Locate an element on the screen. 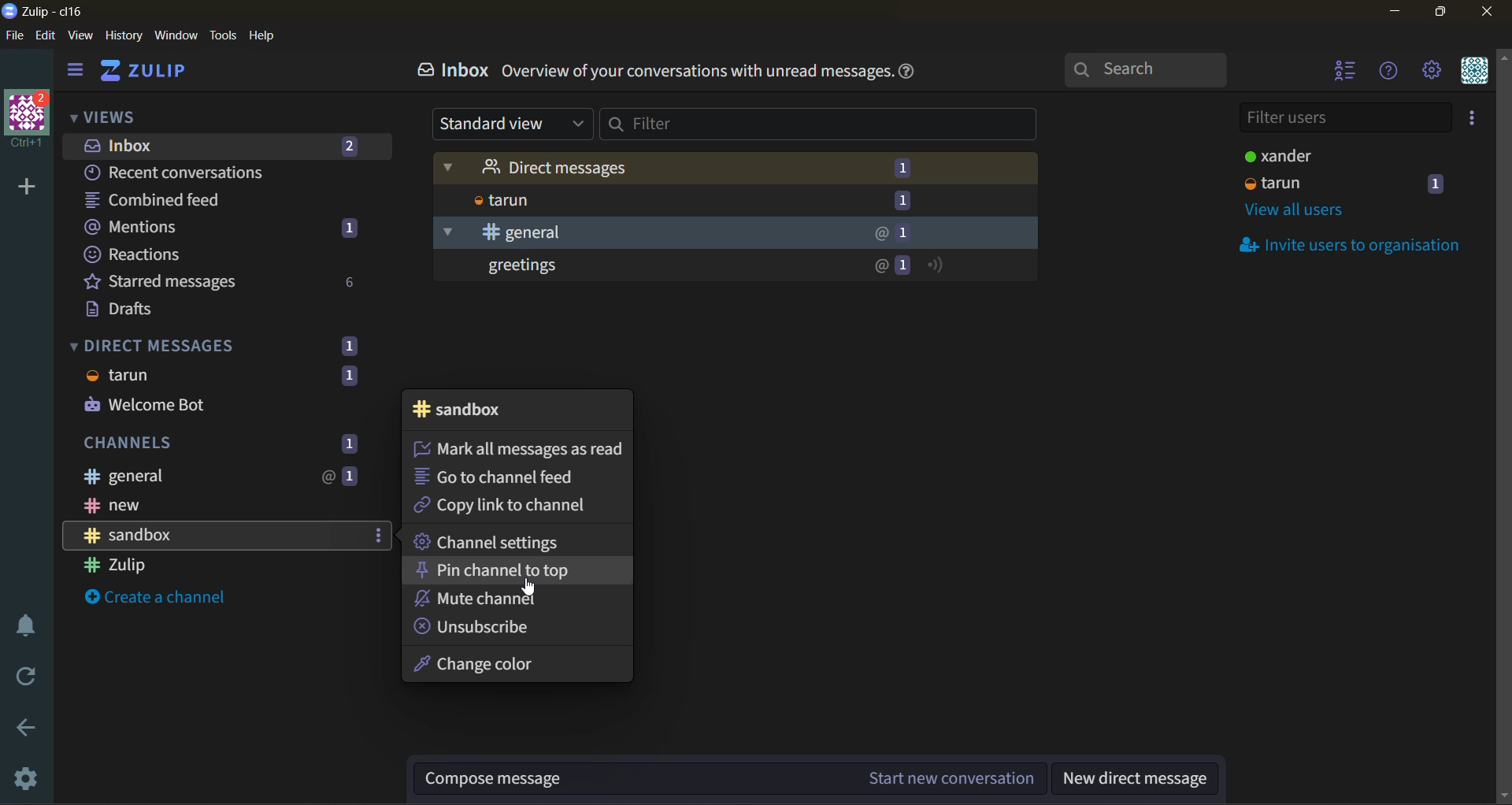 The height and width of the screenshot is (805, 1512). mentions is located at coordinates (226, 228).